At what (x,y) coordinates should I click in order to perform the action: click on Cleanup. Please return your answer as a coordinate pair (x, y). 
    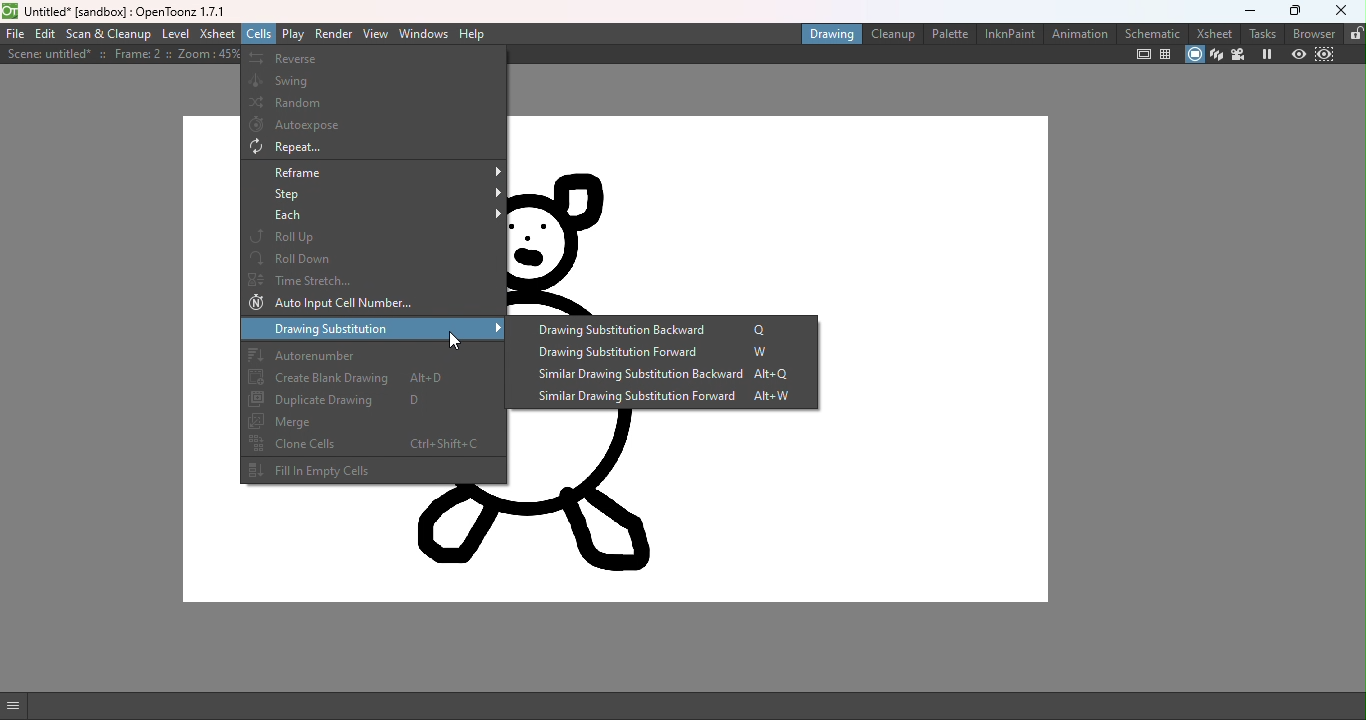
    Looking at the image, I should click on (895, 34).